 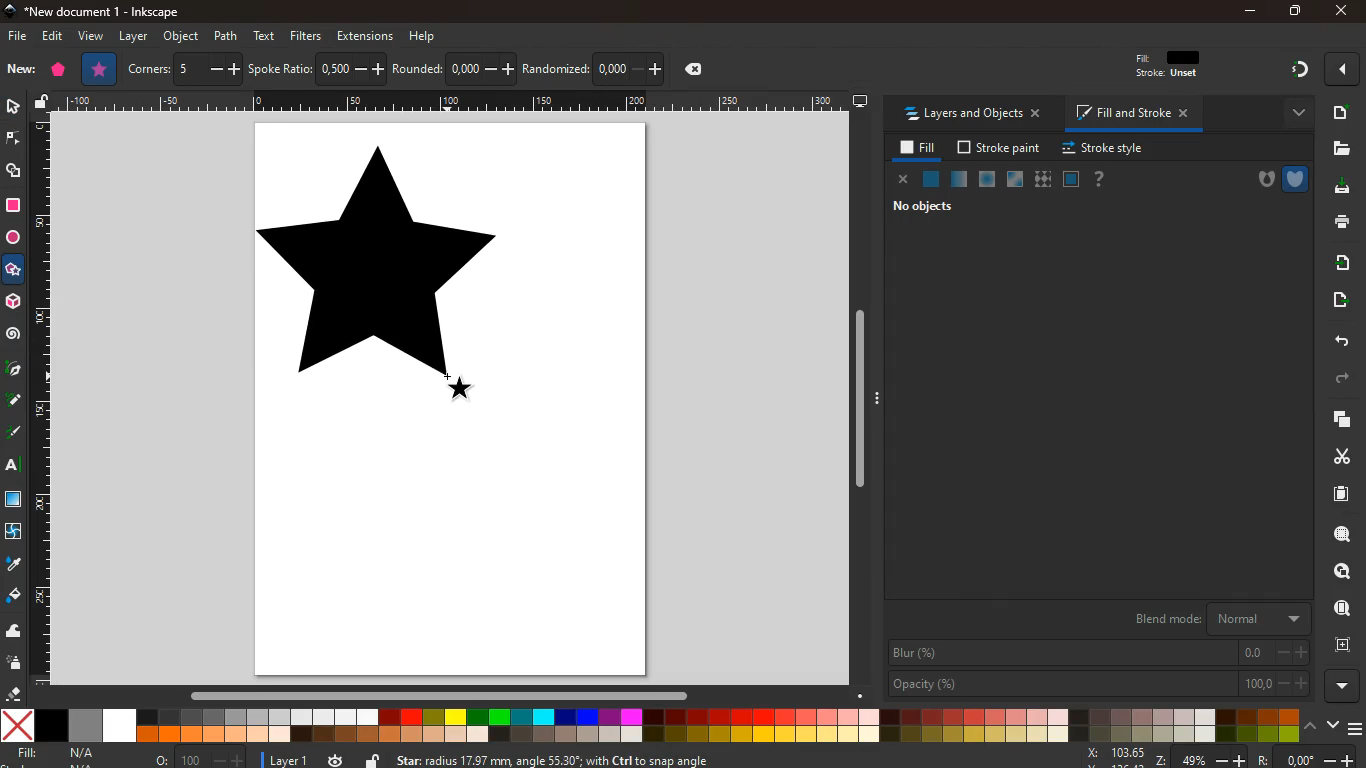 I want to click on write, so click(x=14, y=401).